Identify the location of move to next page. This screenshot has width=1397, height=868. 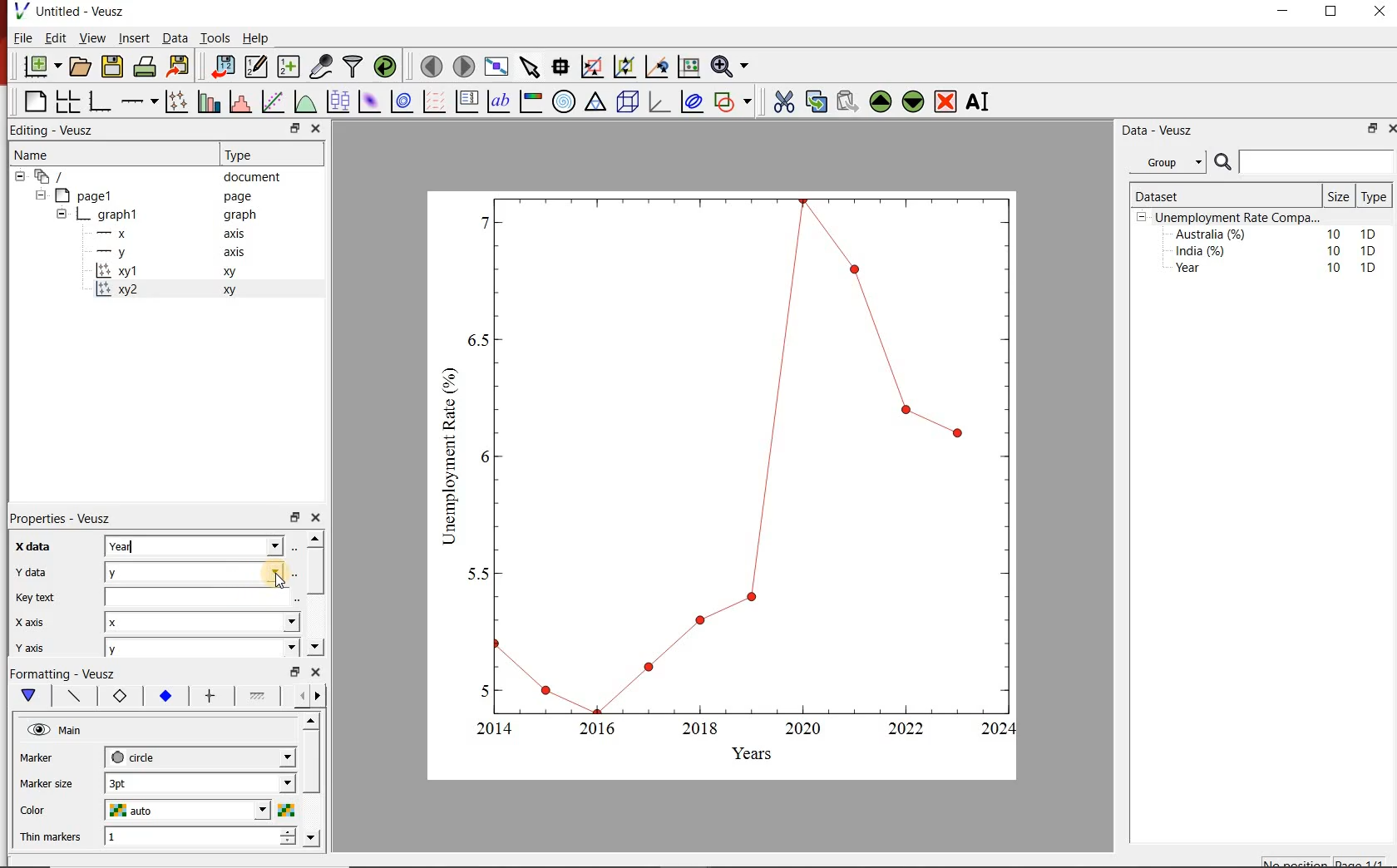
(465, 67).